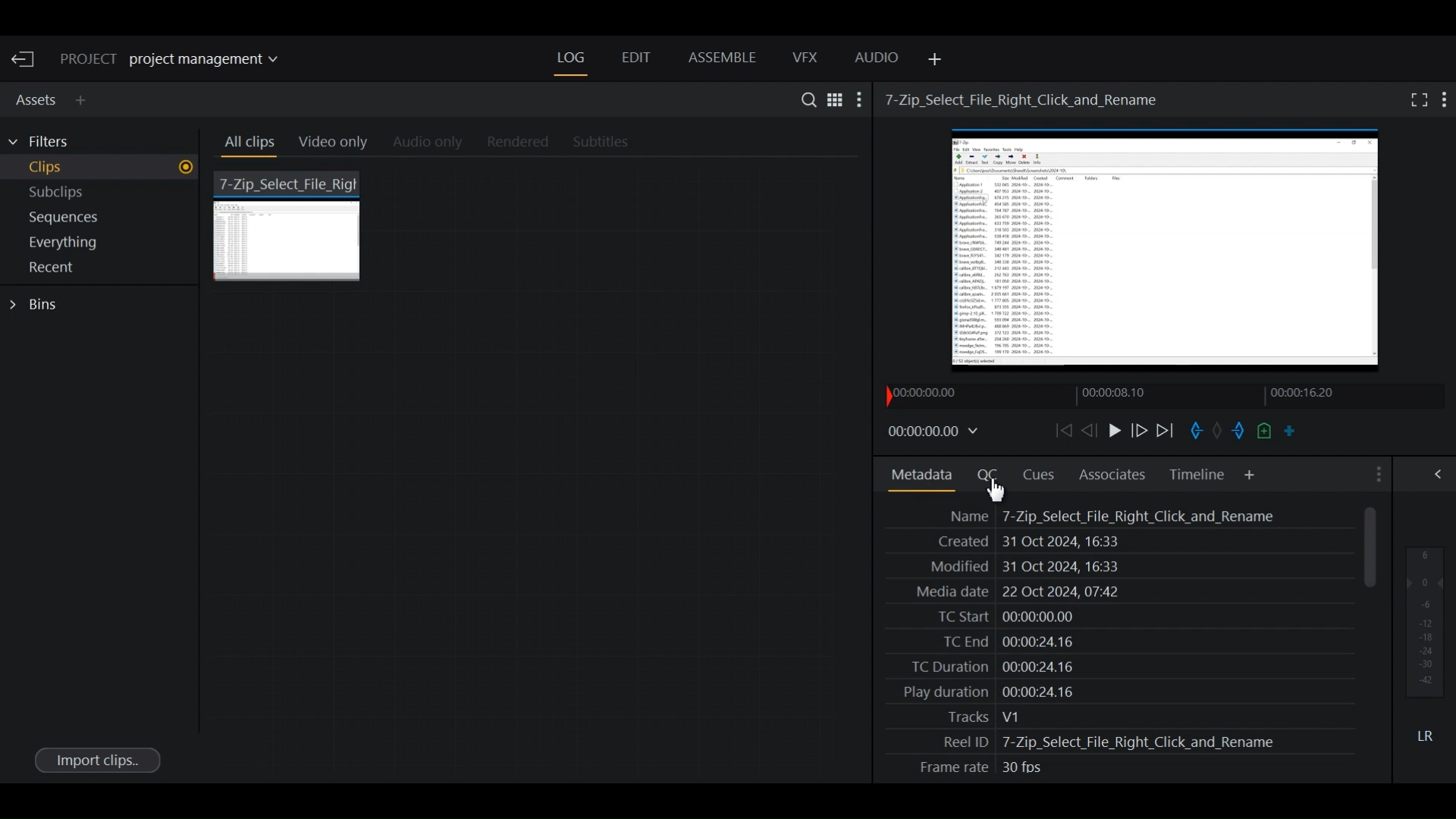 This screenshot has height=819, width=1456. Describe the element at coordinates (1441, 473) in the screenshot. I see `Show/Hide Full Audio mix` at that location.